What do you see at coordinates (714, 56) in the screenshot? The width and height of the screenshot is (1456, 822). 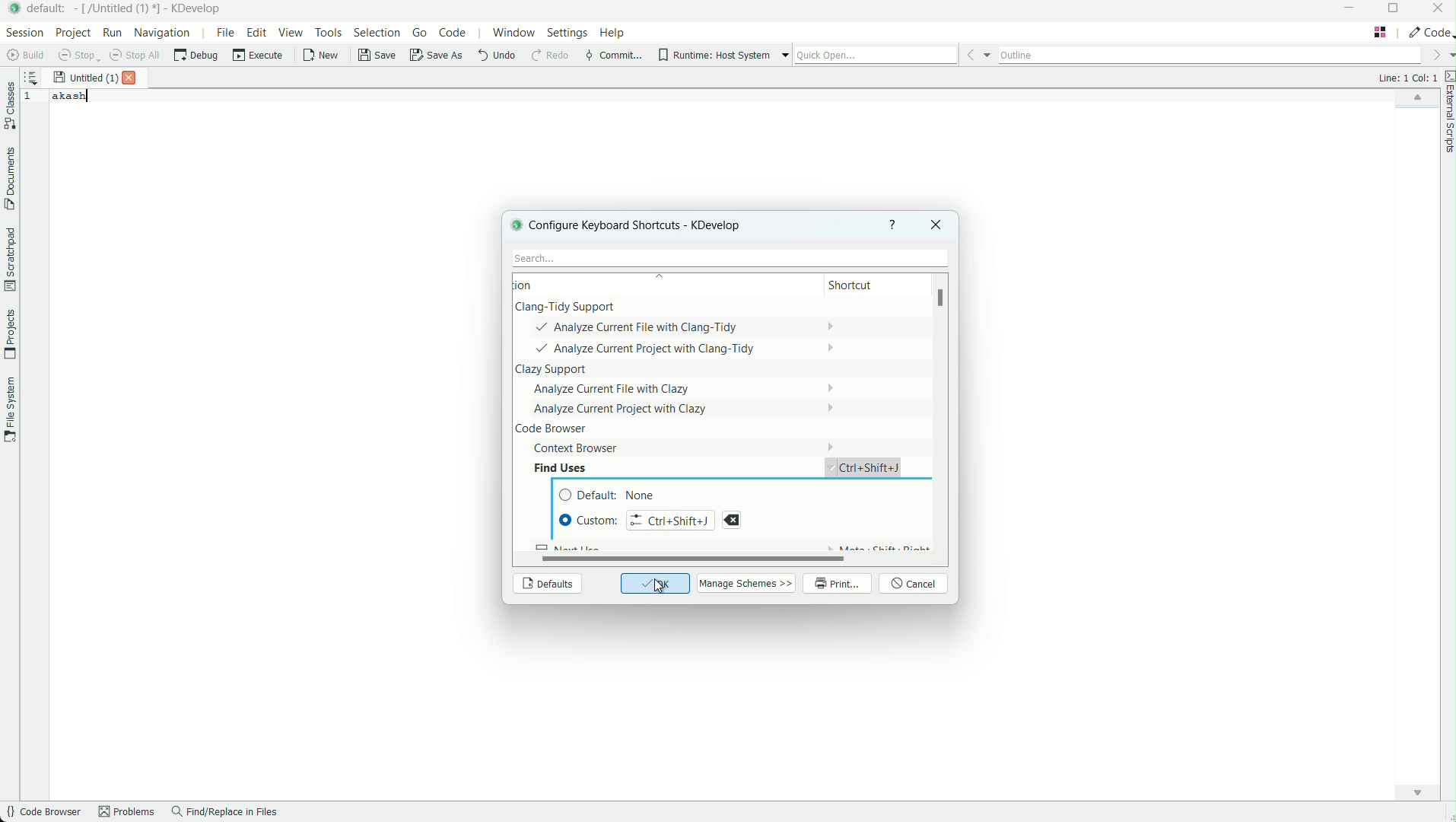 I see `runtime host system` at bounding box center [714, 56].